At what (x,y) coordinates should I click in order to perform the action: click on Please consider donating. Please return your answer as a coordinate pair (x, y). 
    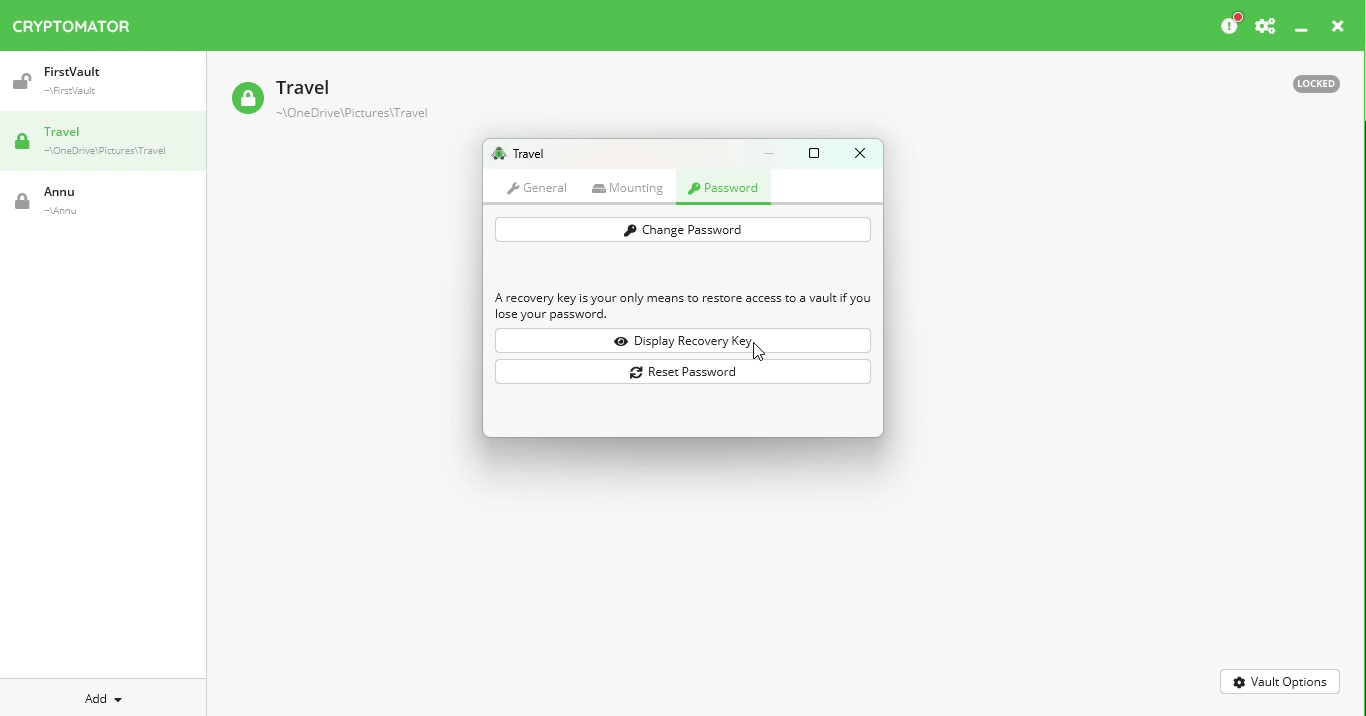
    Looking at the image, I should click on (1229, 25).